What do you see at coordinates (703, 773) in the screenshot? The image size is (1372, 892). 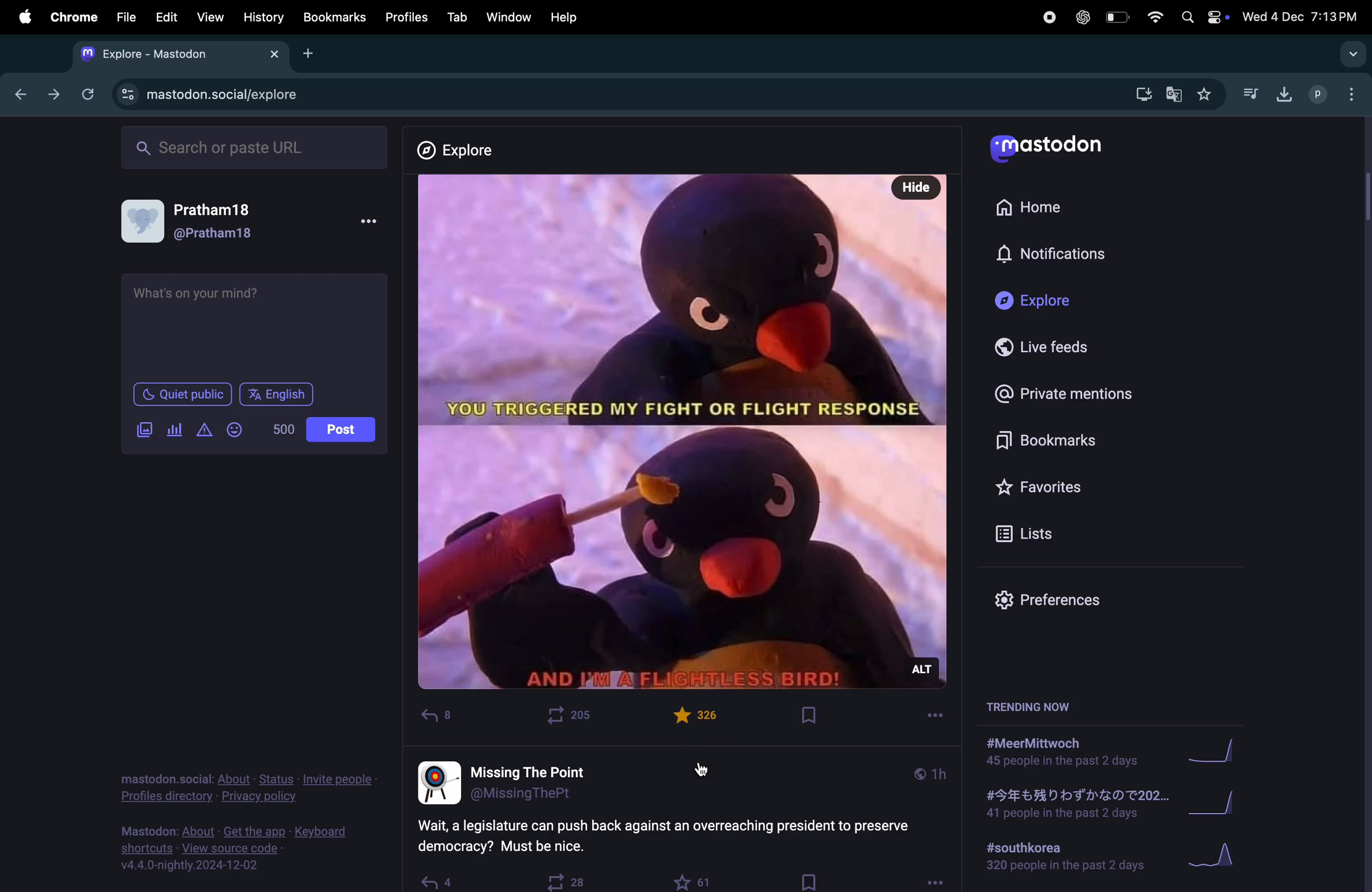 I see `cursor` at bounding box center [703, 773].